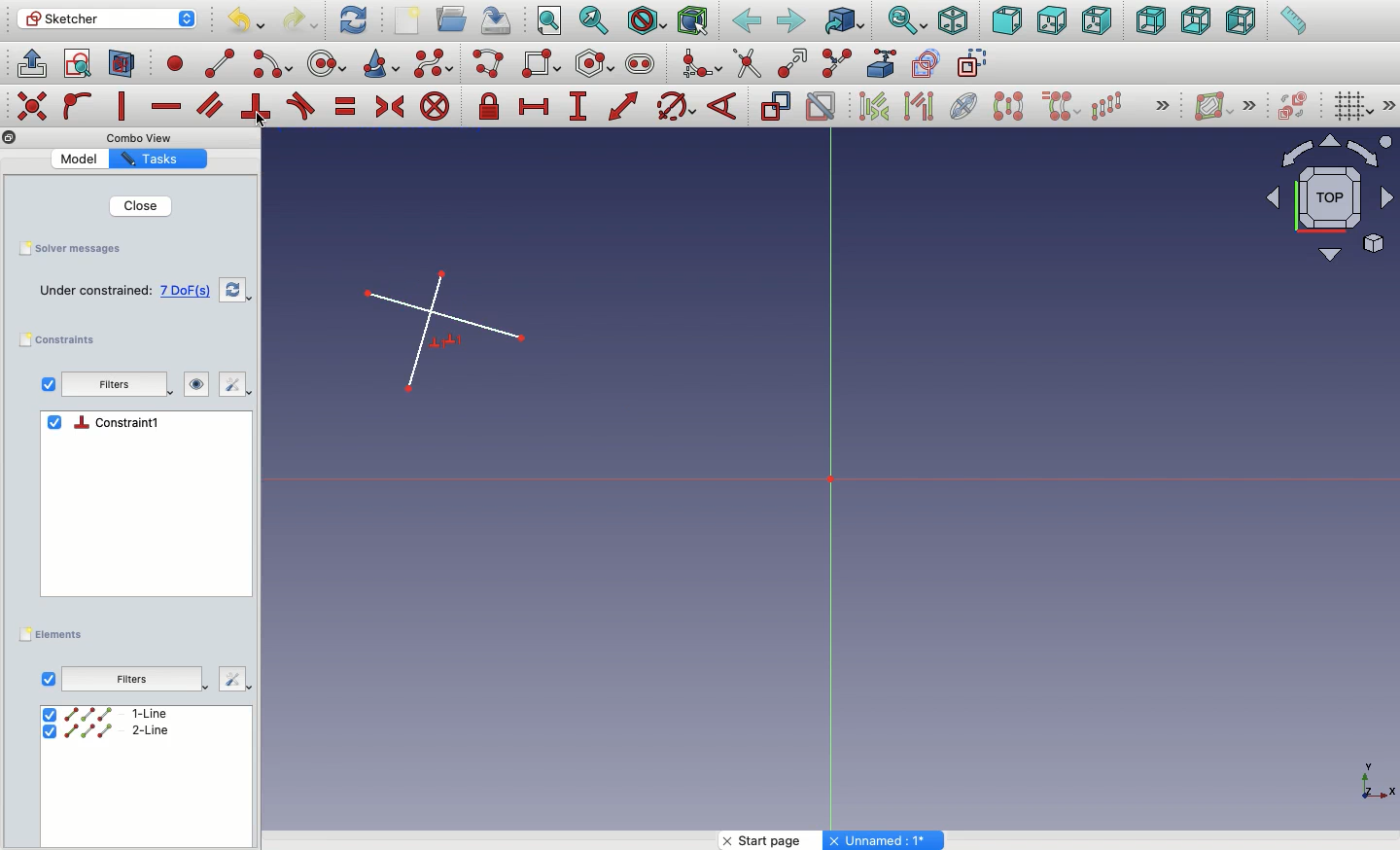  Describe the element at coordinates (453, 337) in the screenshot. I see `Perpendicular lines` at that location.